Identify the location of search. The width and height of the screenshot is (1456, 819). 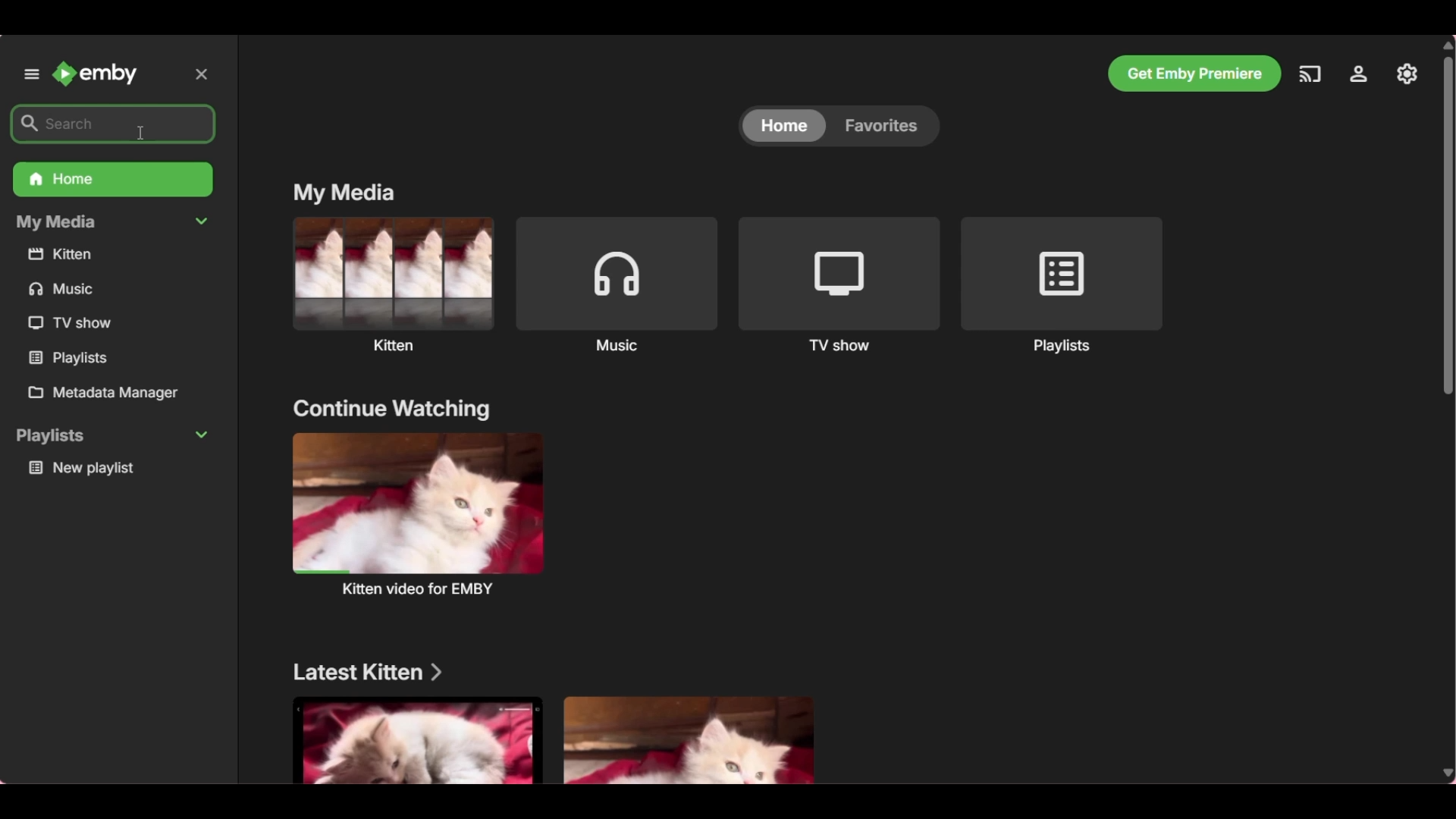
(110, 125).